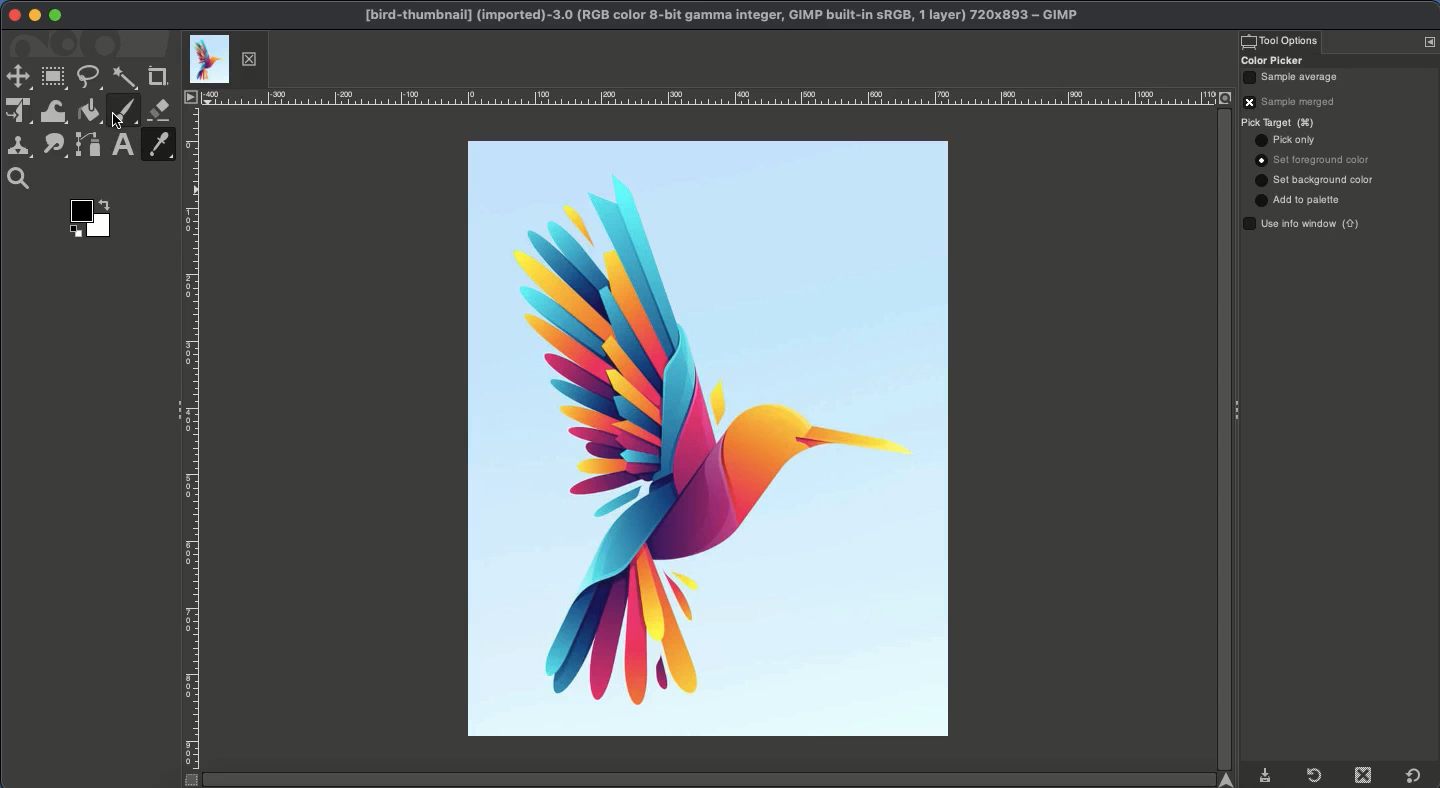 This screenshot has height=788, width=1440. Describe the element at coordinates (718, 780) in the screenshot. I see `Scroll` at that location.